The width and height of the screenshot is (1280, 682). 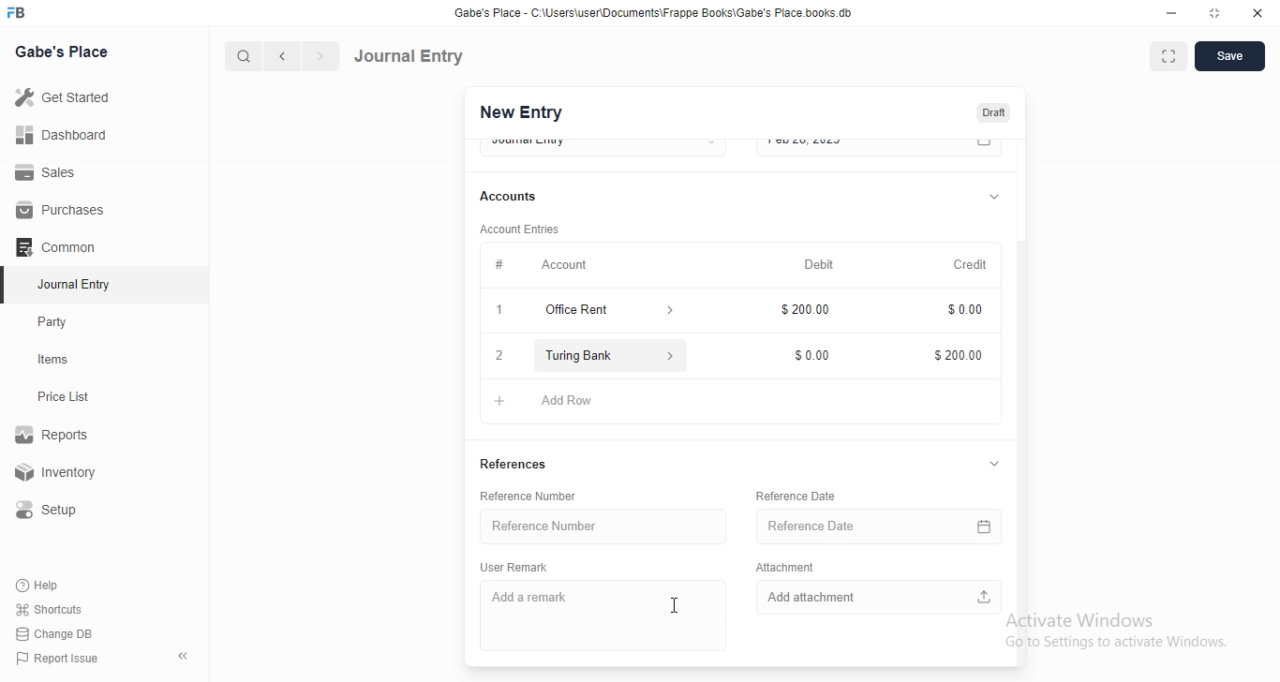 What do you see at coordinates (281, 56) in the screenshot?
I see `backward` at bounding box center [281, 56].